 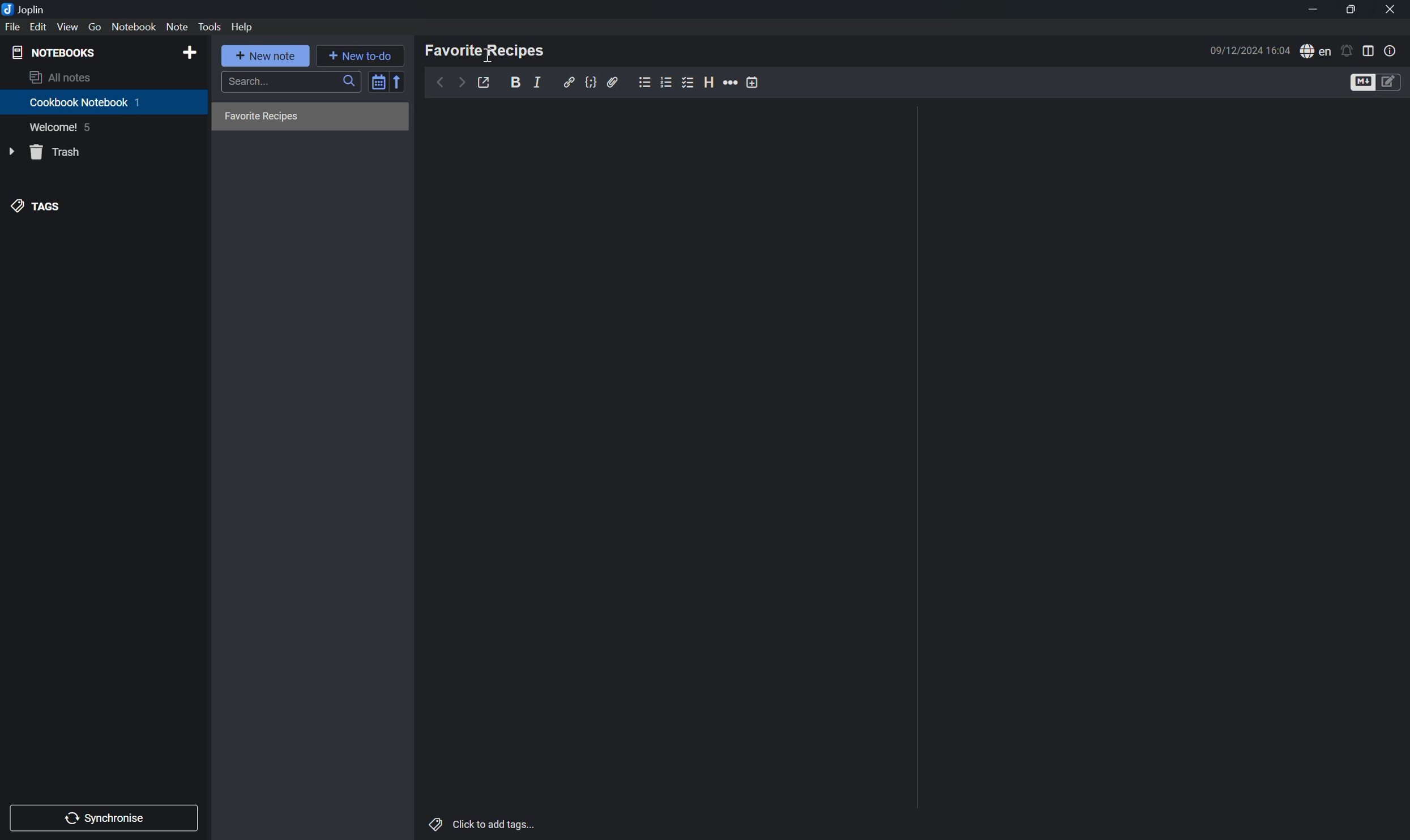 What do you see at coordinates (488, 49) in the screenshot?
I see `Favorite Recipes` at bounding box center [488, 49].